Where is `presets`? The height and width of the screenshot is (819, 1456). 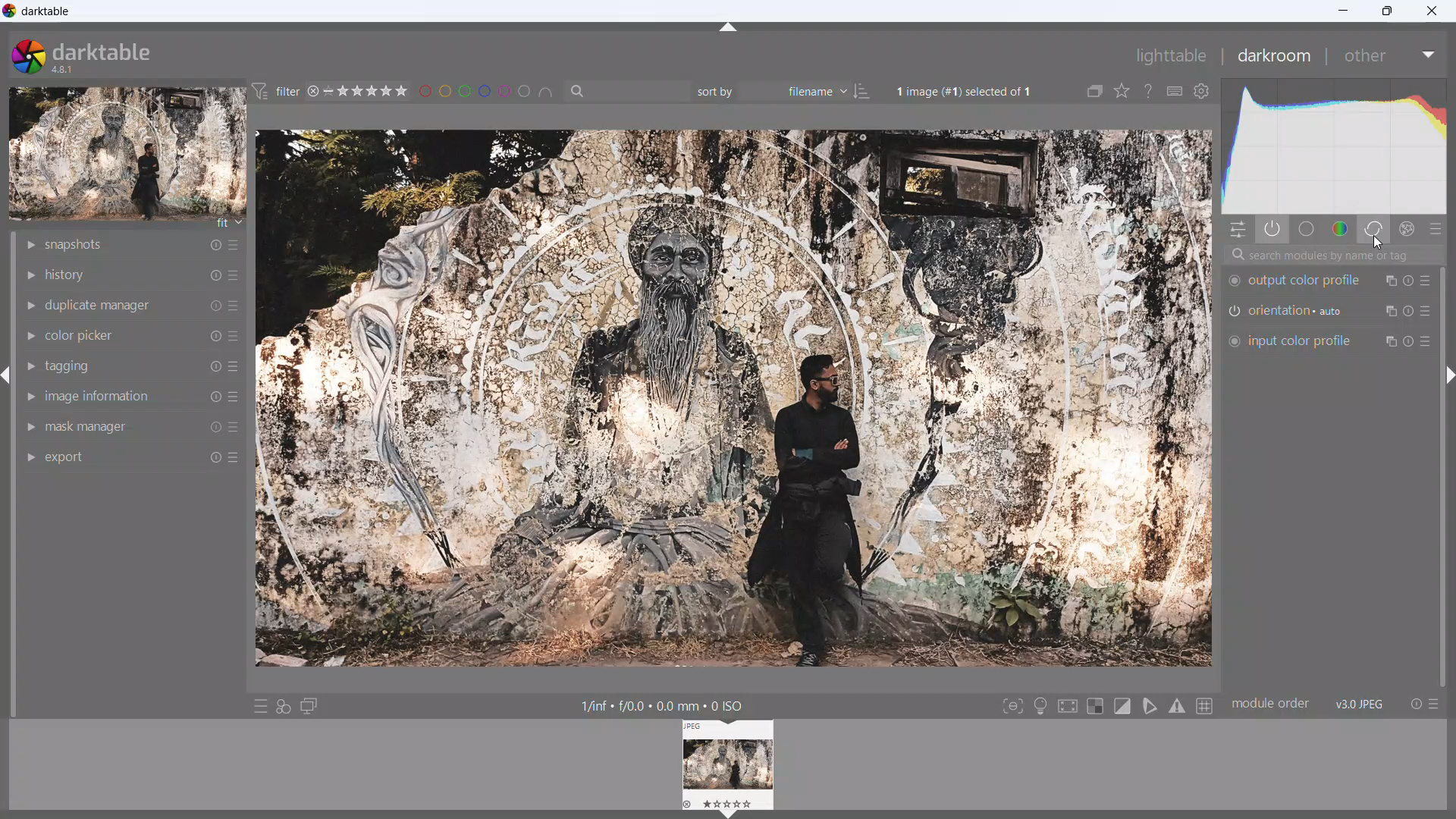
presets is located at coordinates (1426, 281).